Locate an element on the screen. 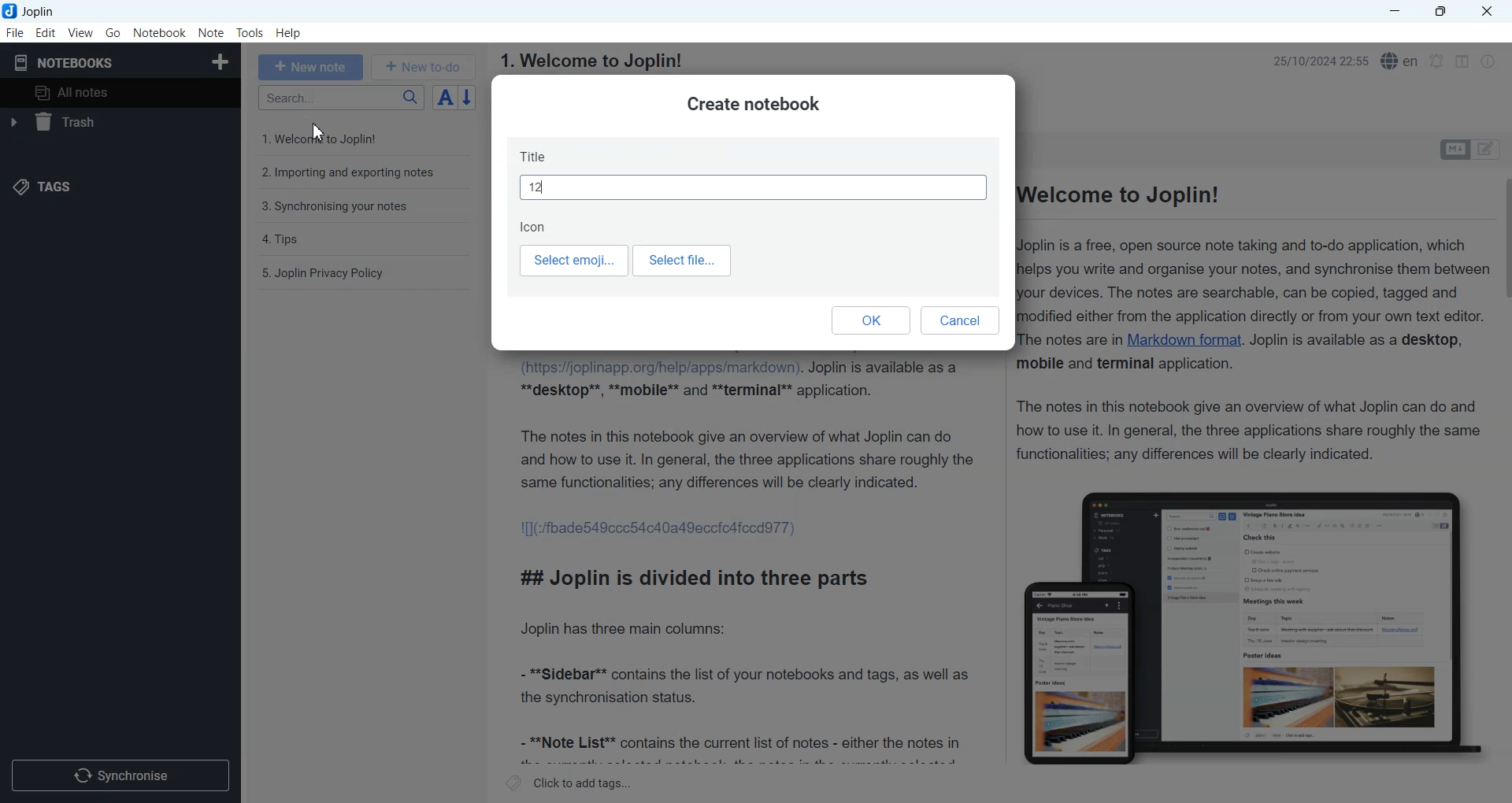  3. Synchronising your notes is located at coordinates (335, 207).